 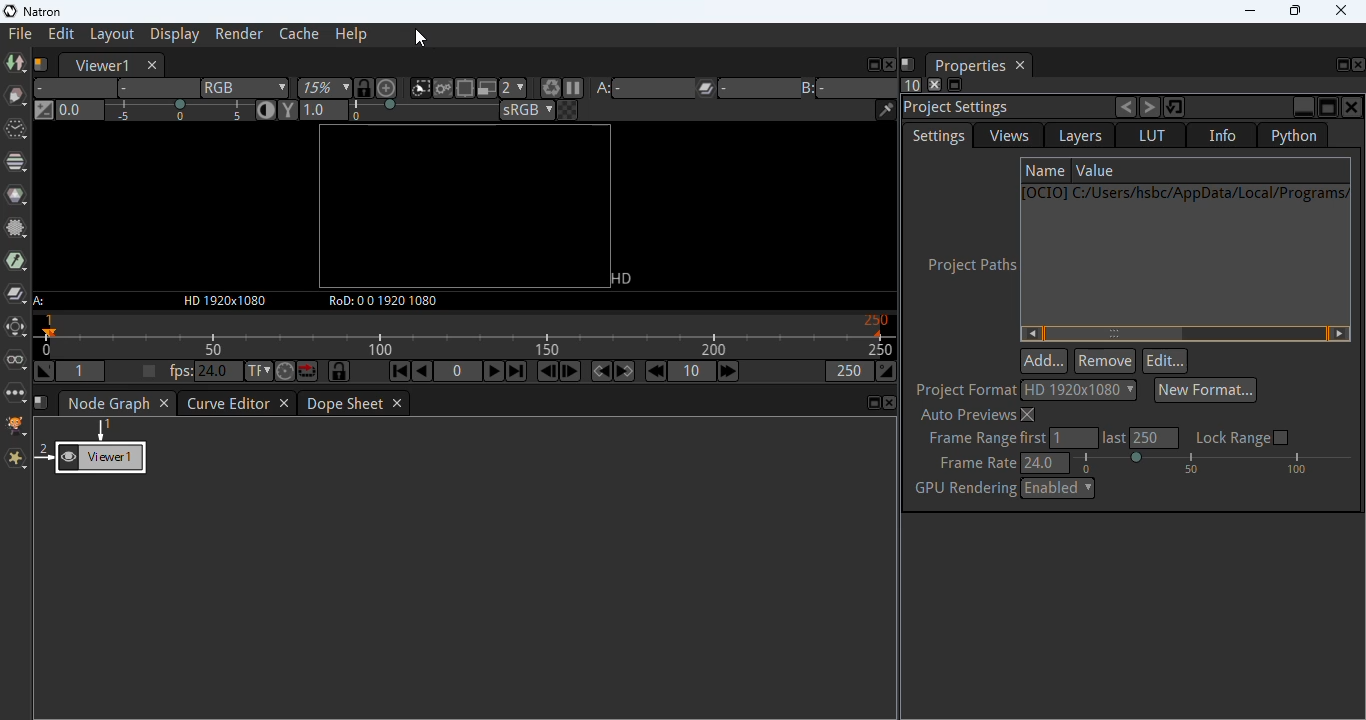 What do you see at coordinates (346, 404) in the screenshot?
I see `dope sheet` at bounding box center [346, 404].